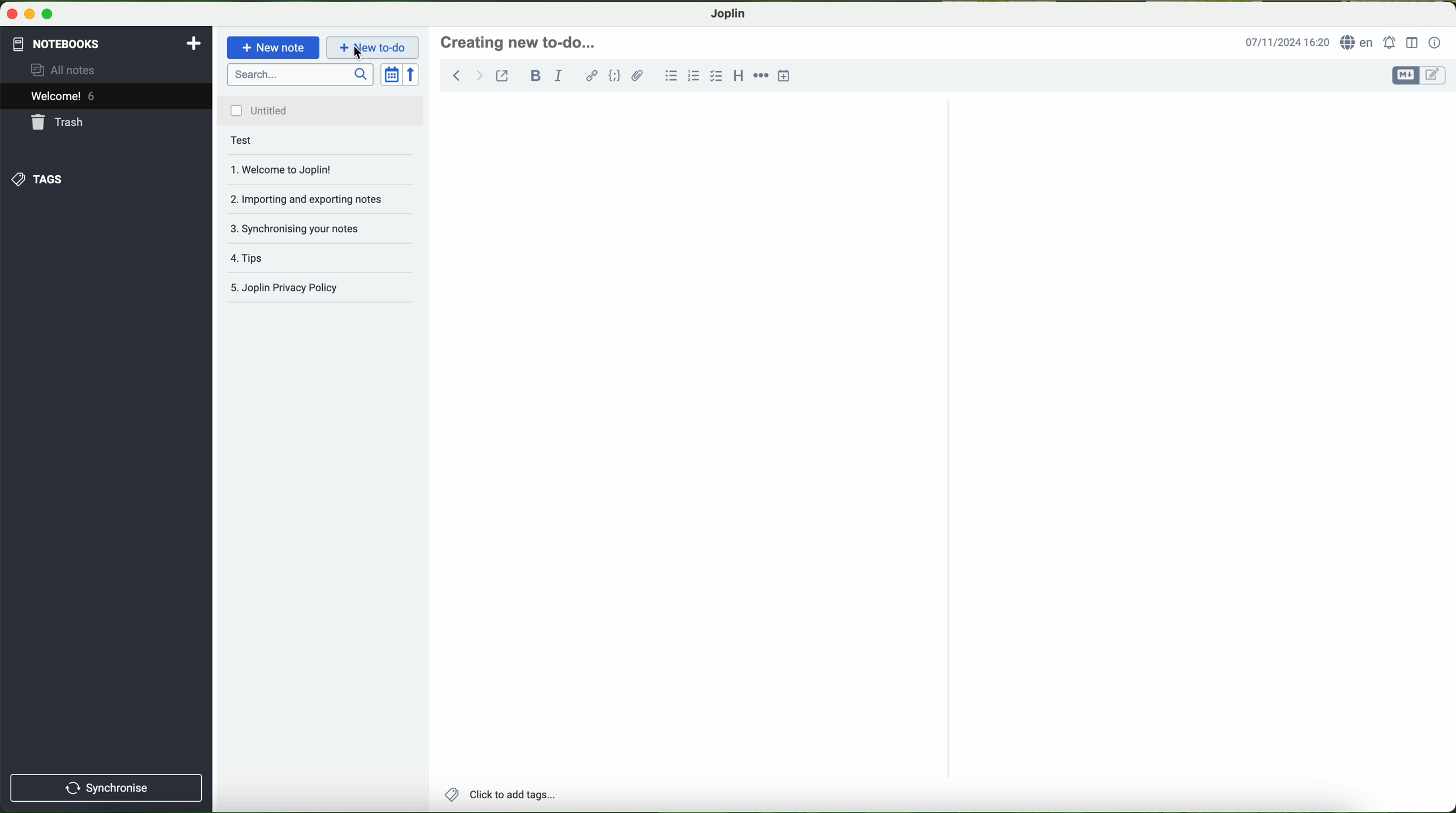 Image resolution: width=1456 pixels, height=813 pixels. I want to click on Joplin, so click(728, 15).